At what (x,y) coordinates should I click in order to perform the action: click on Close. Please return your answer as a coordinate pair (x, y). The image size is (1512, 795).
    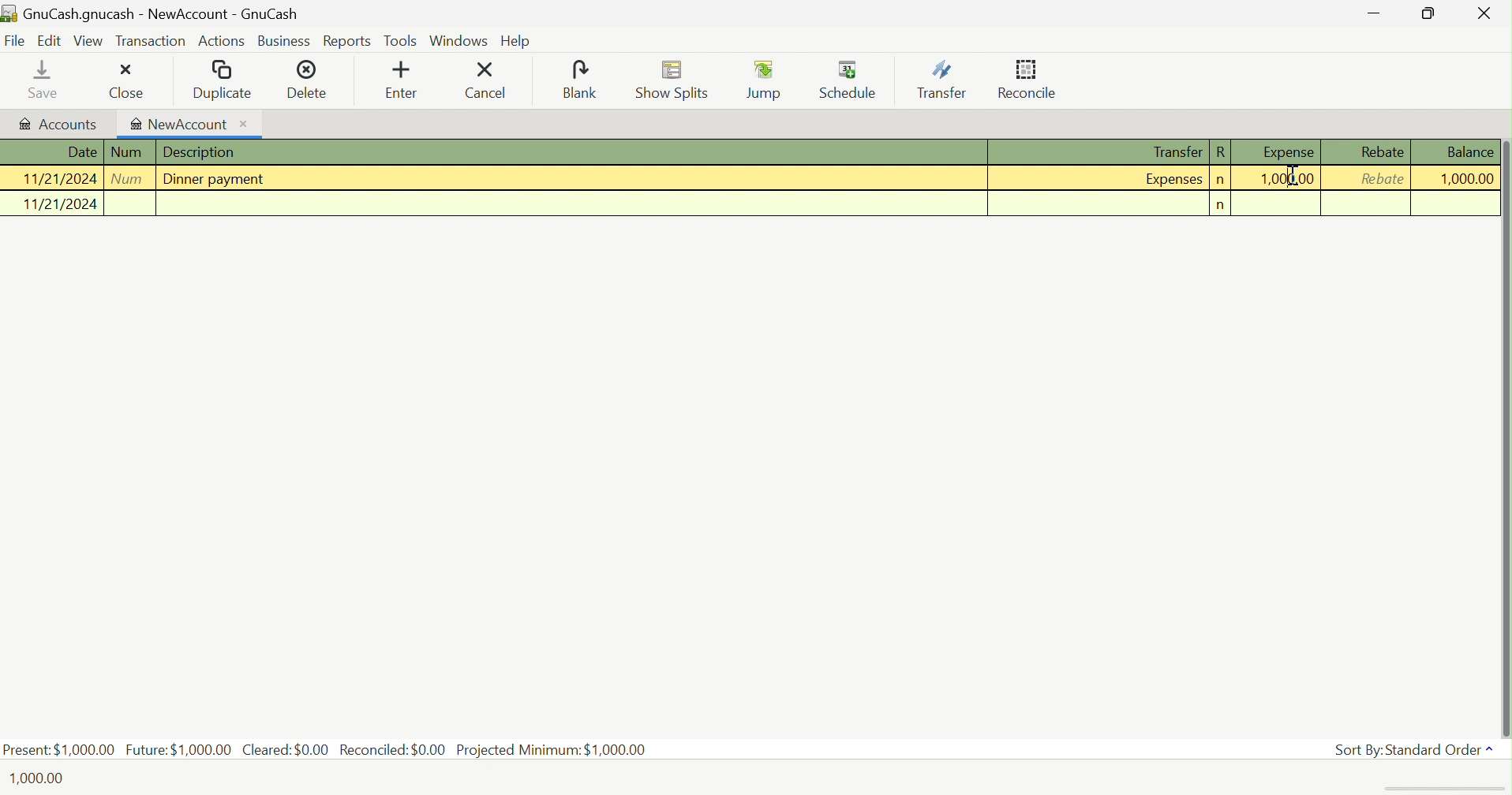
    Looking at the image, I should click on (121, 80).